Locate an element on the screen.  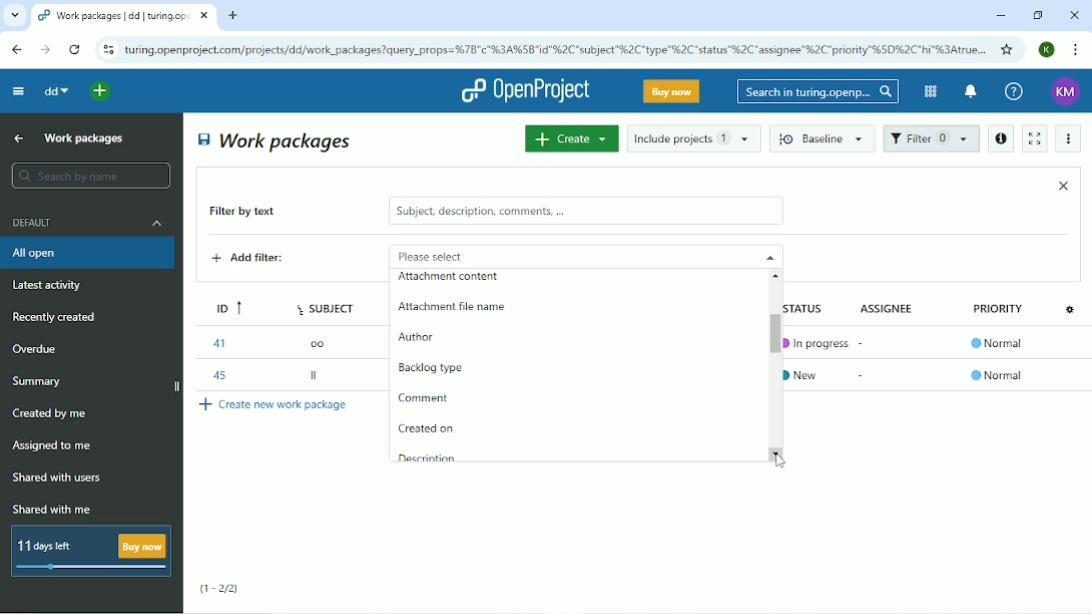
Filter by text is located at coordinates (257, 213).